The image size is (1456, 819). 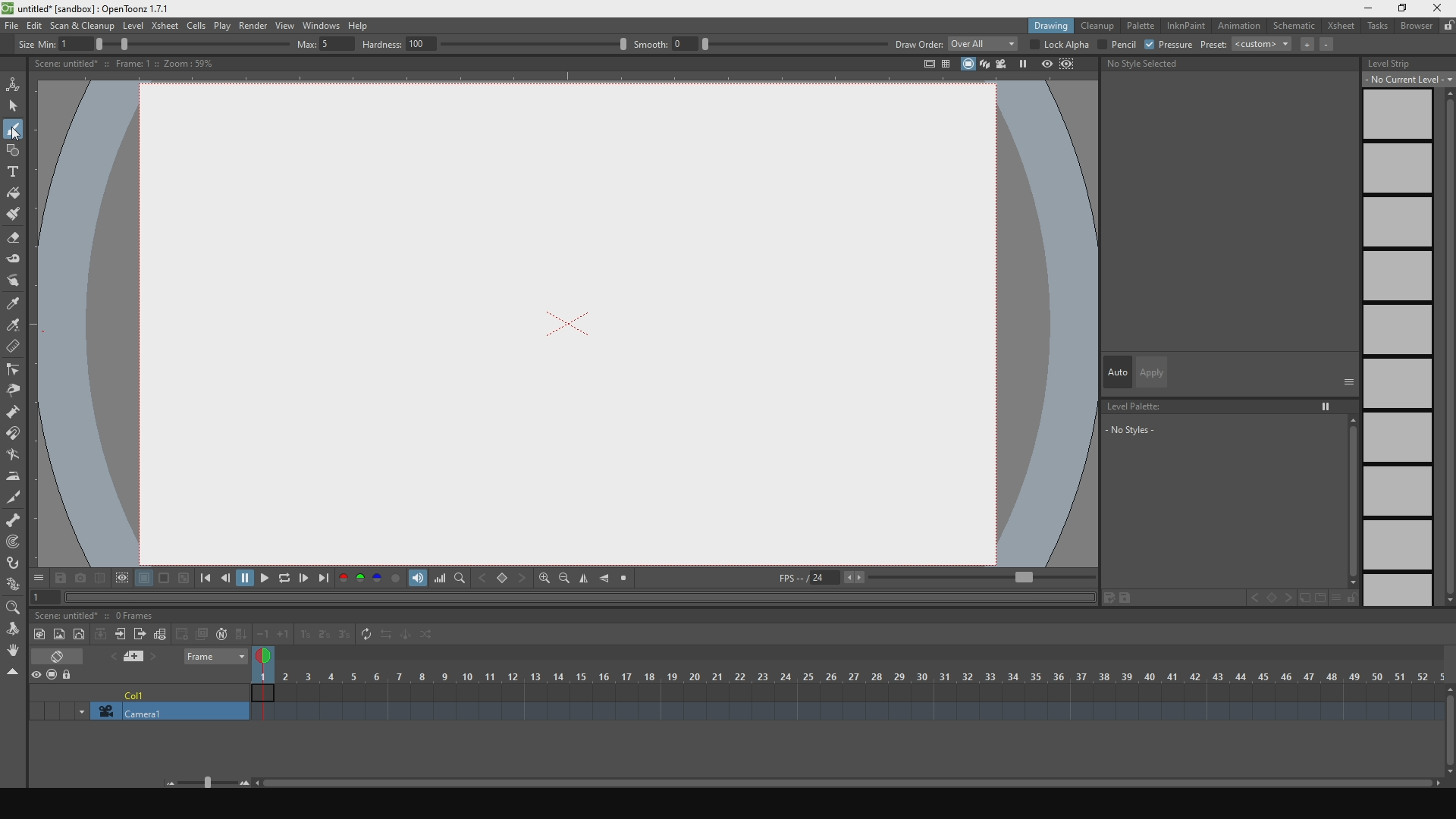 I want to click on cells, so click(x=196, y=26).